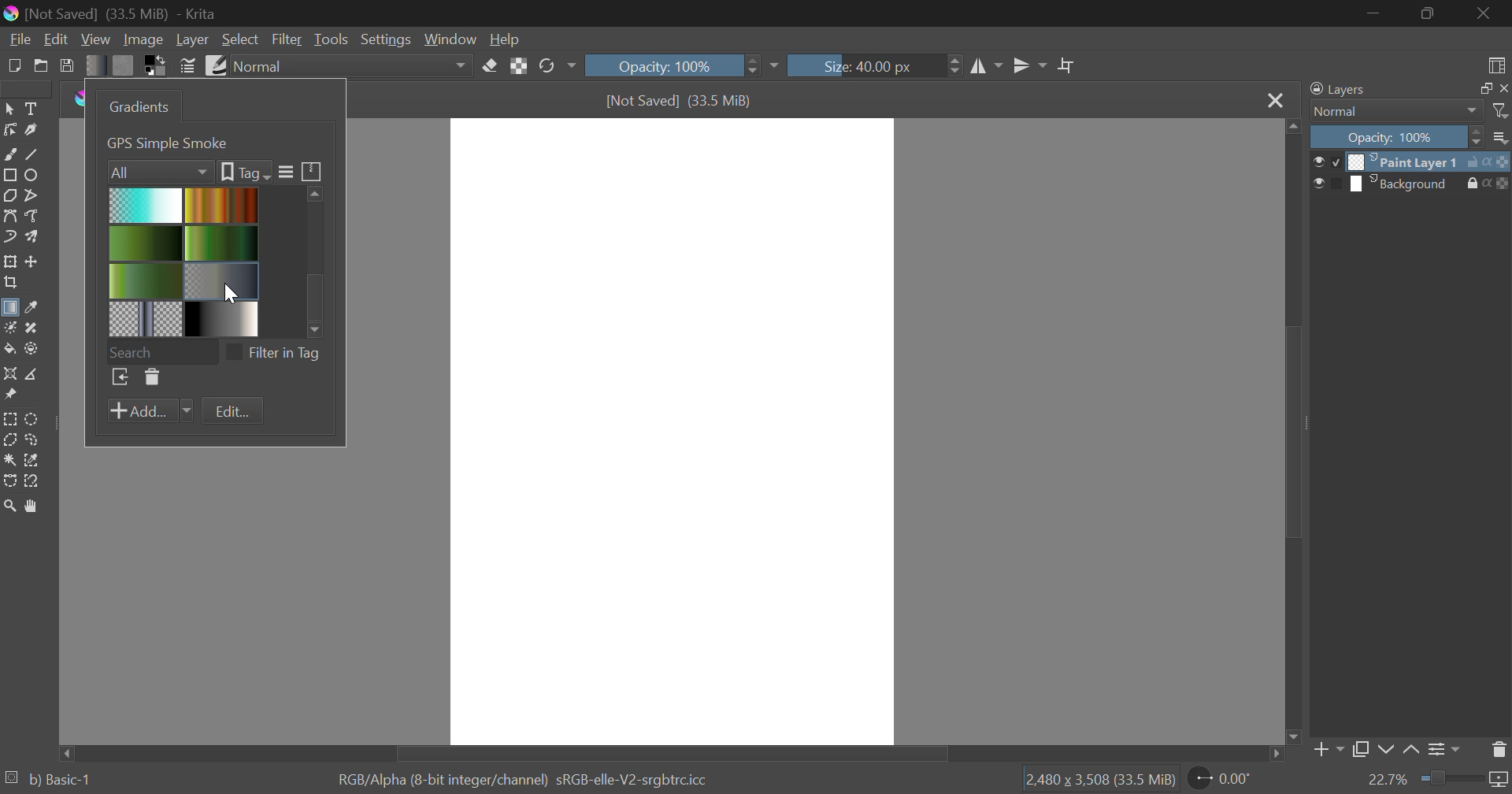  I want to click on Image, so click(142, 39).